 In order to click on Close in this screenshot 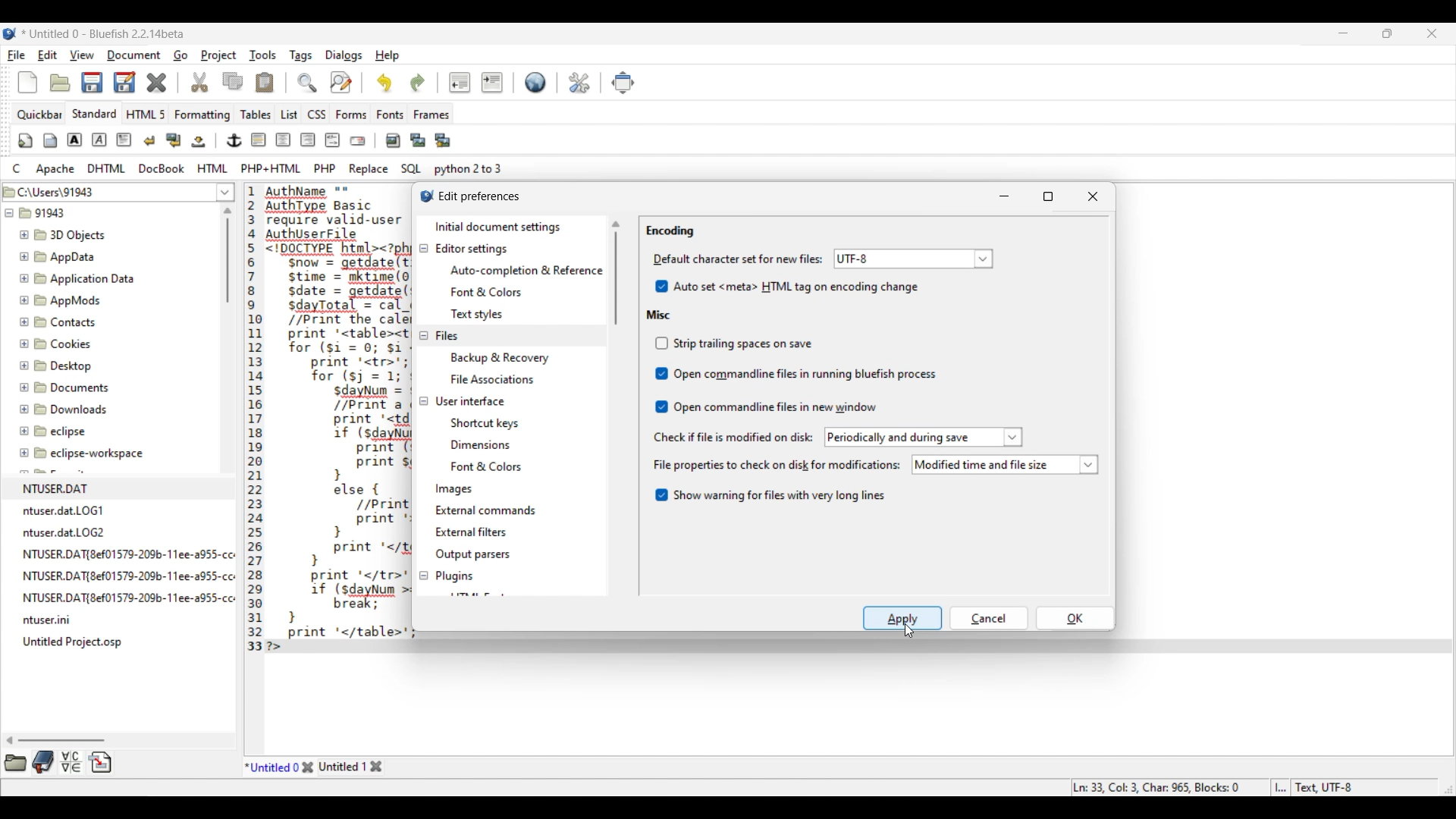, I will do `click(1095, 196)`.